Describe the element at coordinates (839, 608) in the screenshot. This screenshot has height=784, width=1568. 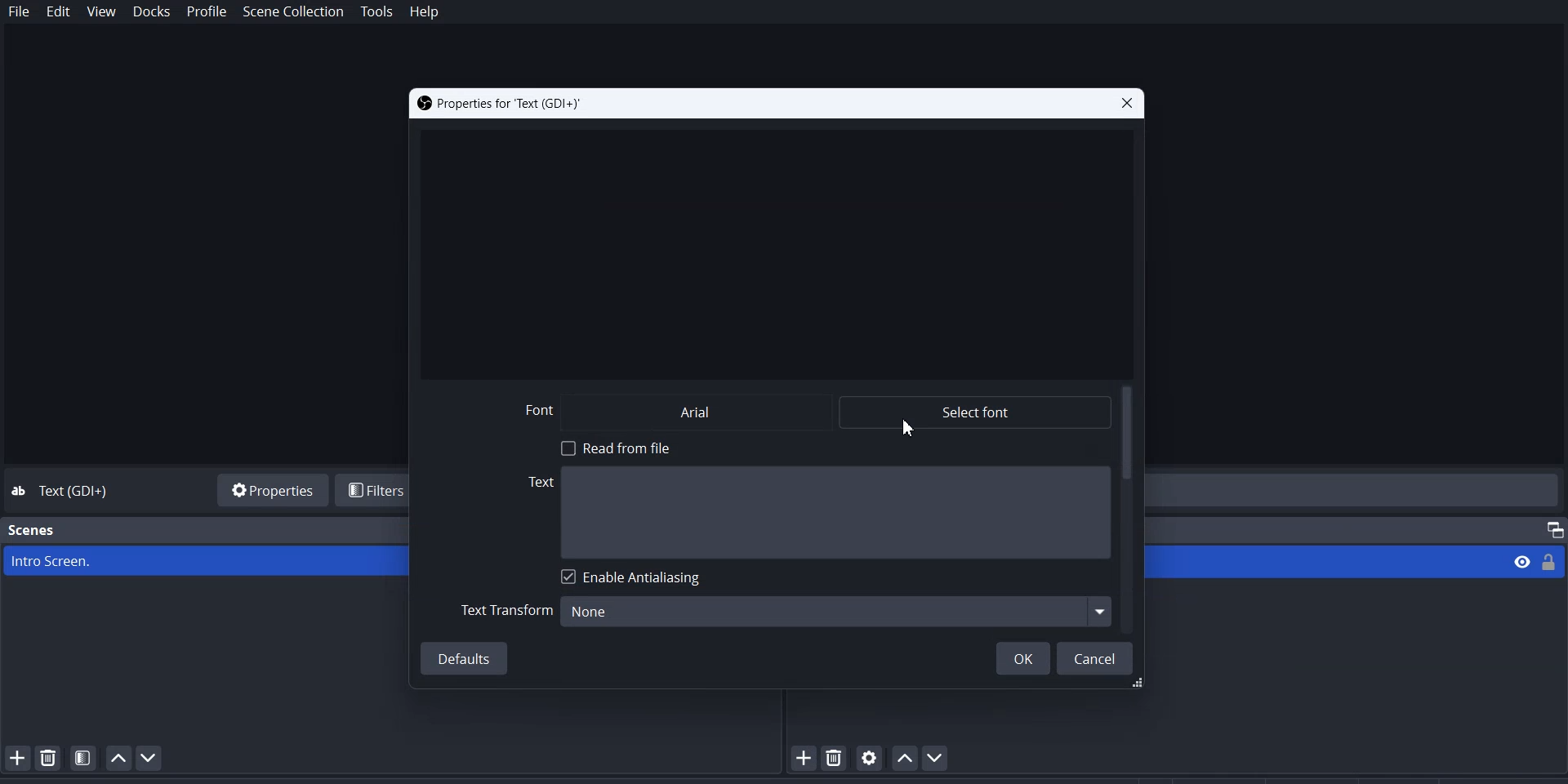
I see `None` at that location.